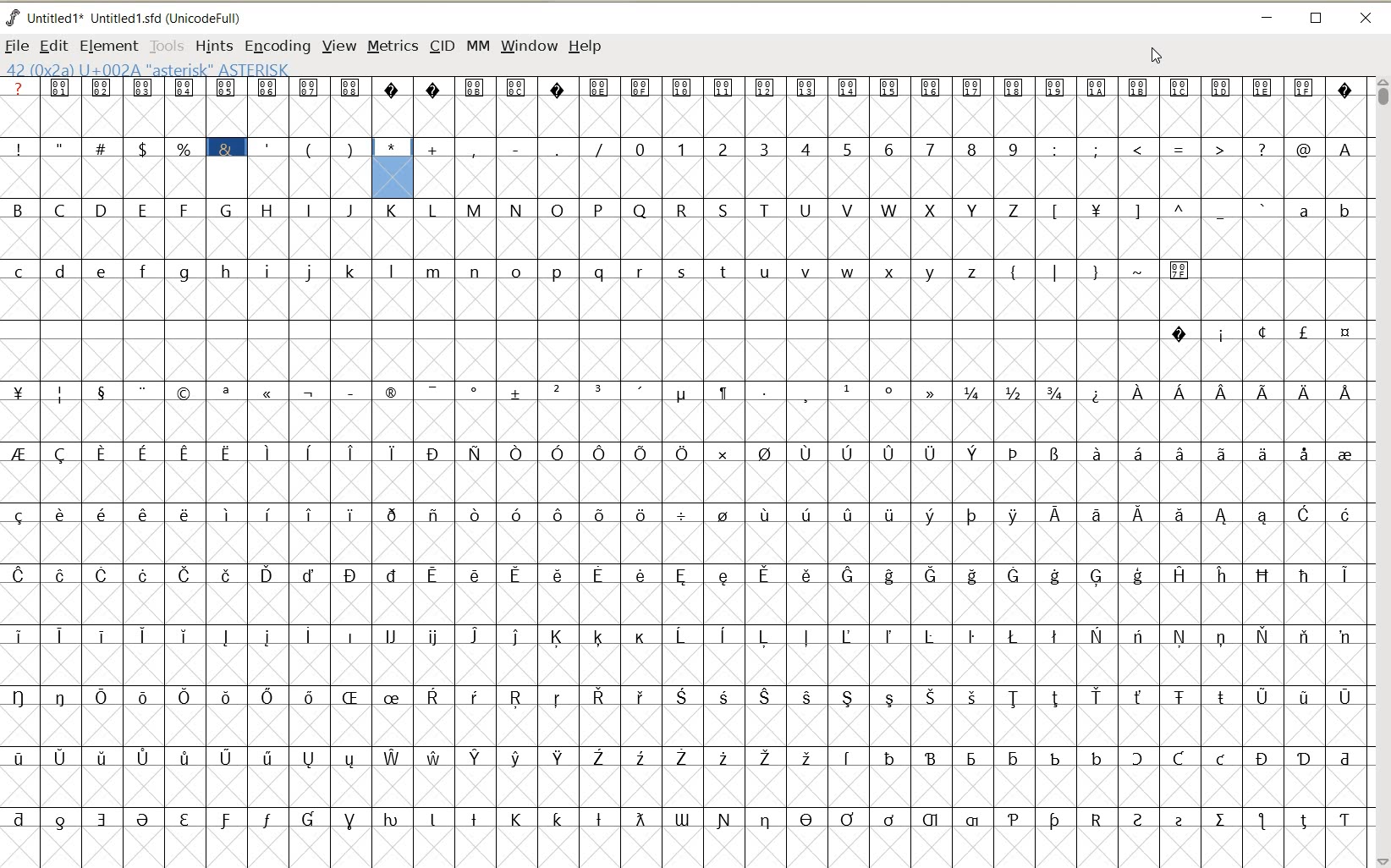  What do you see at coordinates (1365, 18) in the screenshot?
I see `CLOSE` at bounding box center [1365, 18].